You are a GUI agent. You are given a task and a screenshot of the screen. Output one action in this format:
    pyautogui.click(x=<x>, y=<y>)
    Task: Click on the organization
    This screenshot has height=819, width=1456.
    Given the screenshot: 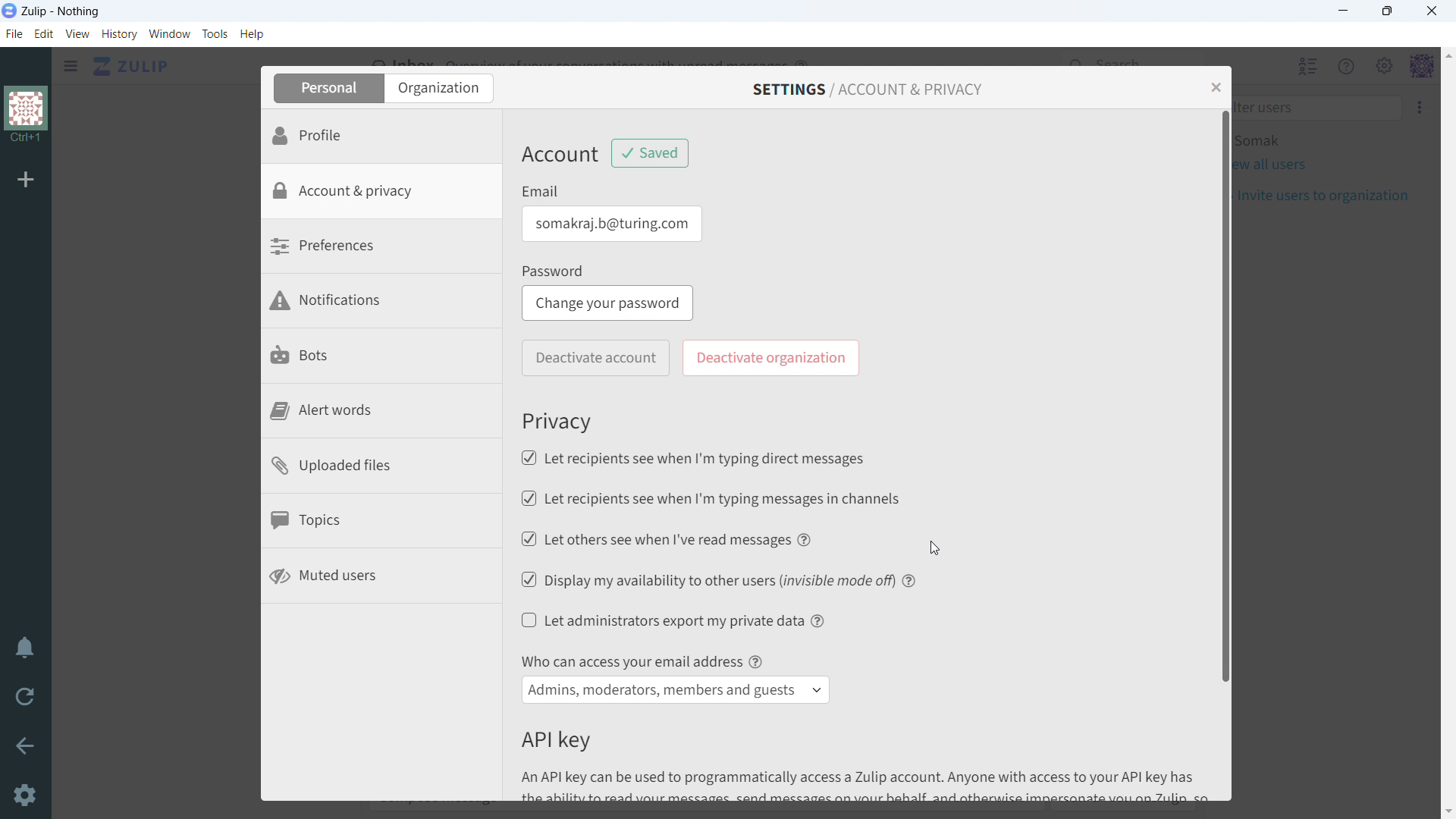 What is the action you would take?
    pyautogui.click(x=442, y=88)
    